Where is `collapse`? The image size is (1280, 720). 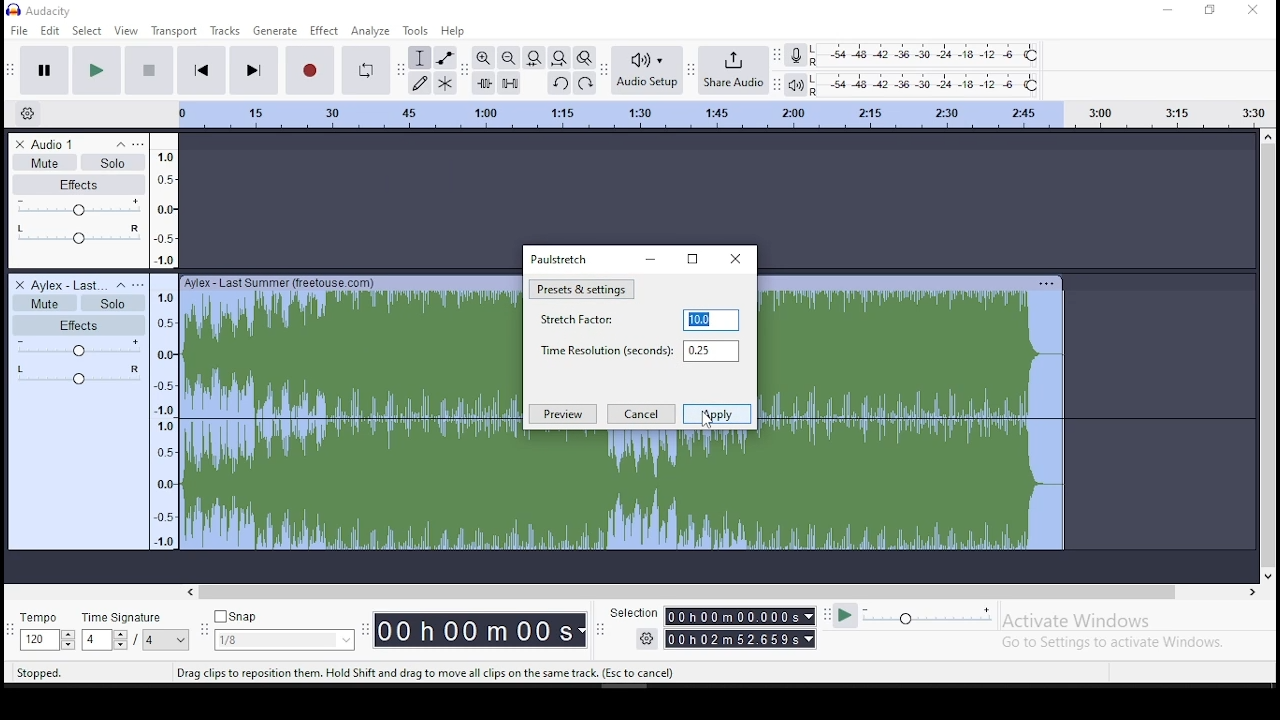
collapse is located at coordinates (121, 286).